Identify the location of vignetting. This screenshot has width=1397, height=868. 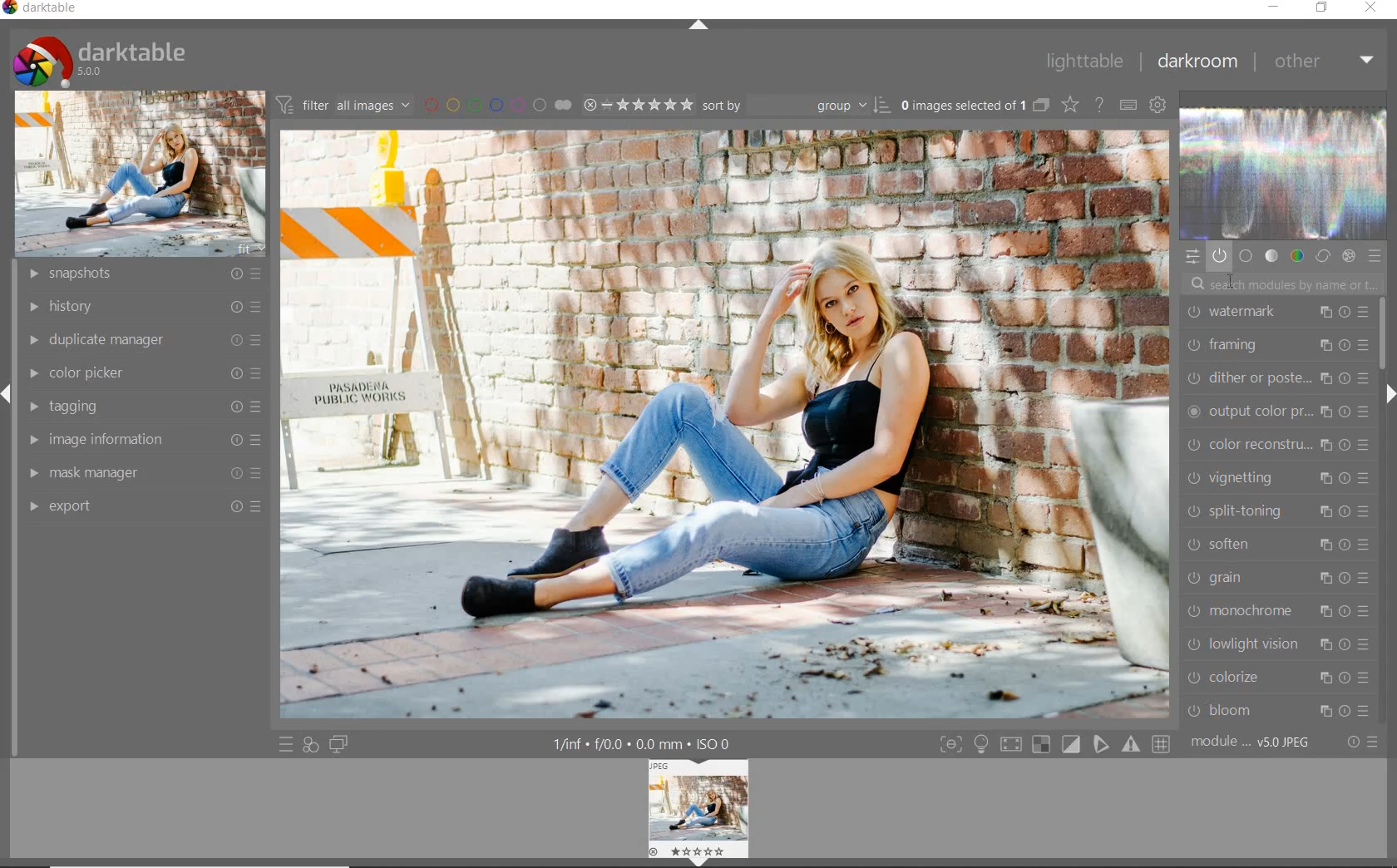
(1278, 481).